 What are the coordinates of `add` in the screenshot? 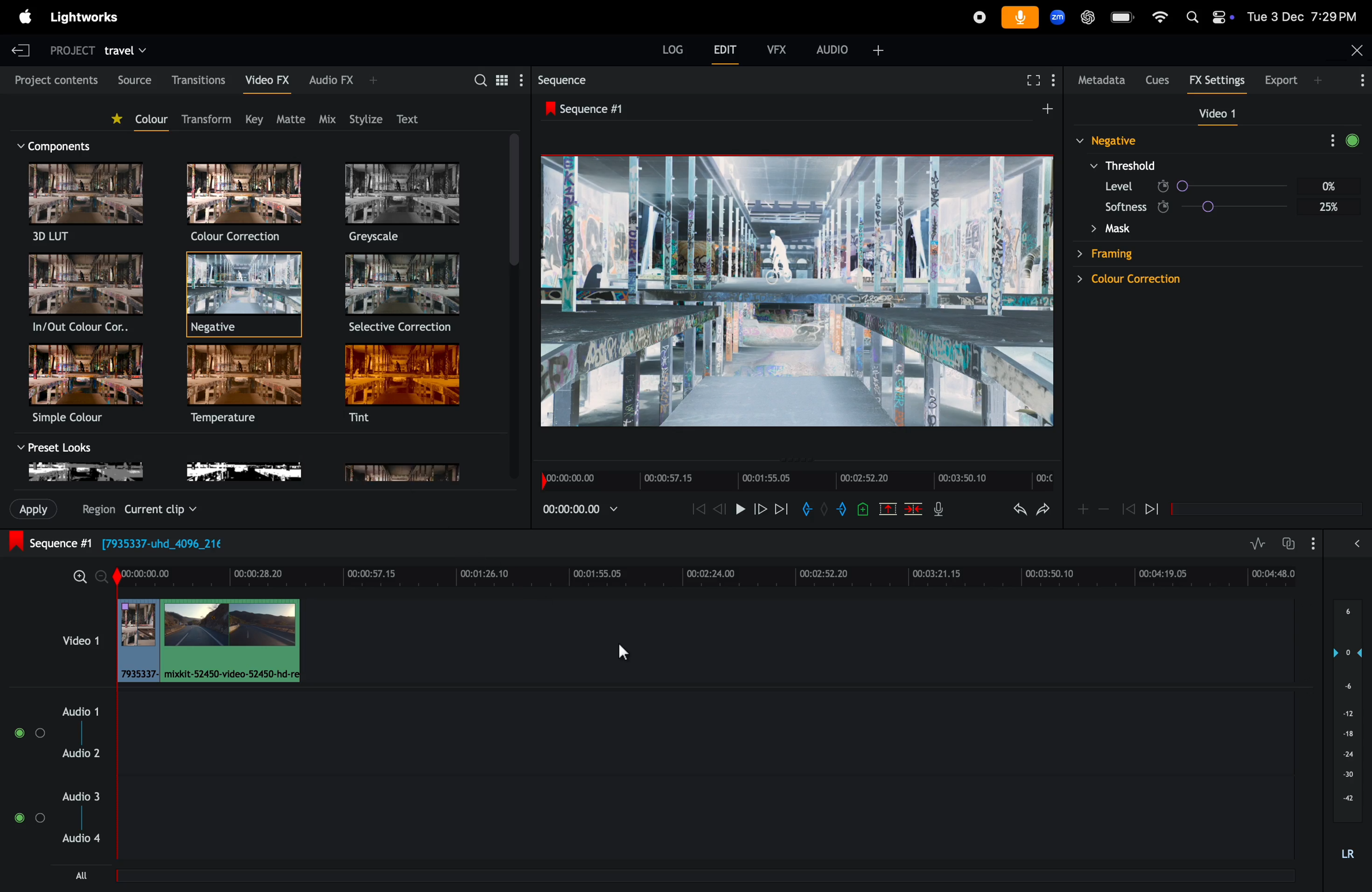 It's located at (1049, 108).